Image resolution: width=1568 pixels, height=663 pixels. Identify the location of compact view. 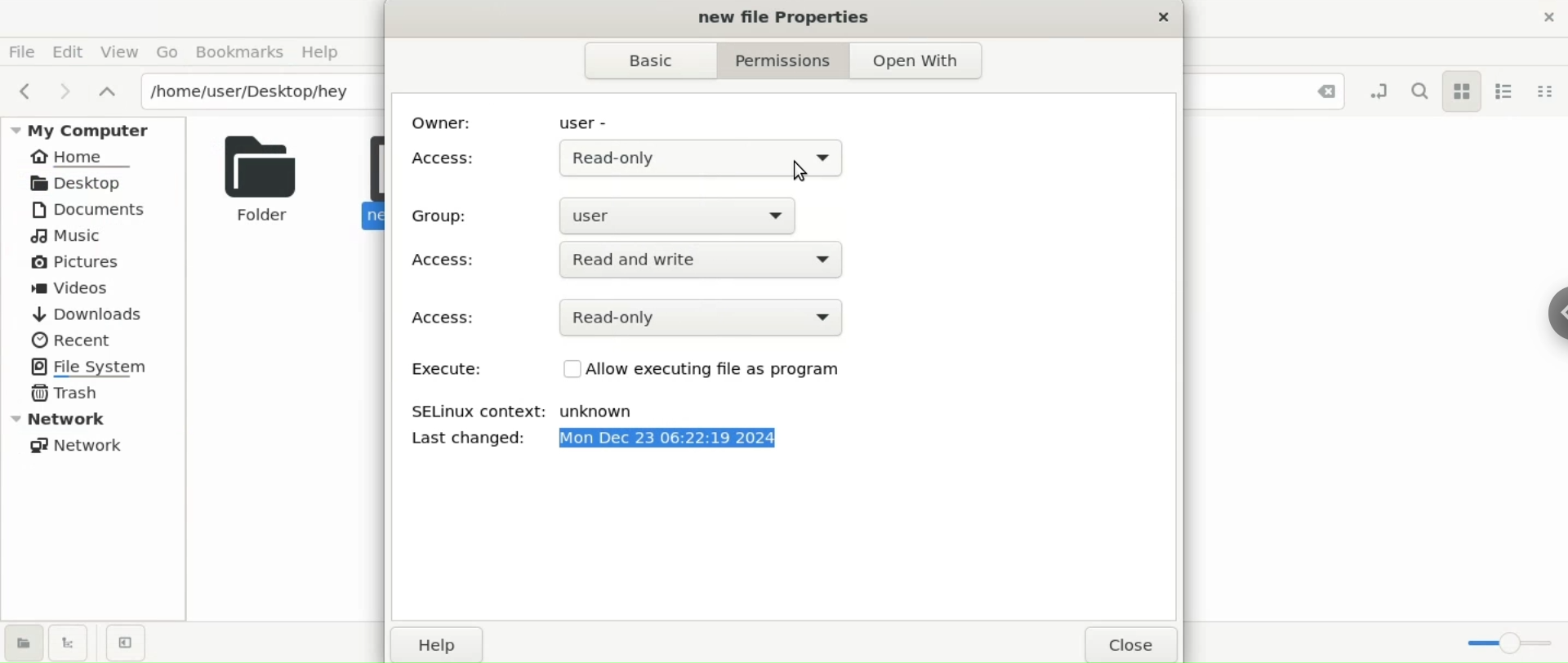
(1547, 91).